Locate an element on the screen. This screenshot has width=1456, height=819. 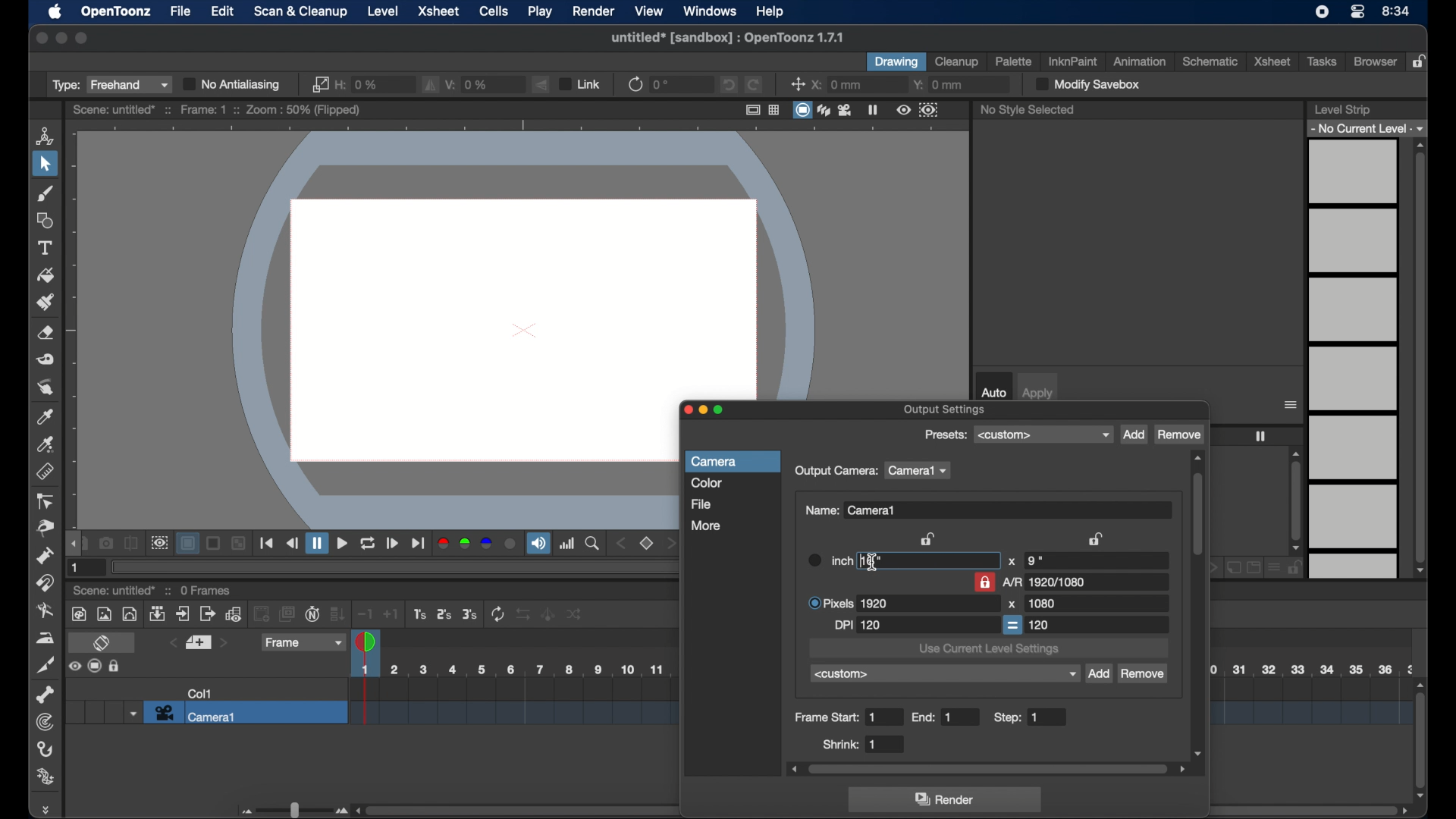
selection tool is located at coordinates (45, 165).